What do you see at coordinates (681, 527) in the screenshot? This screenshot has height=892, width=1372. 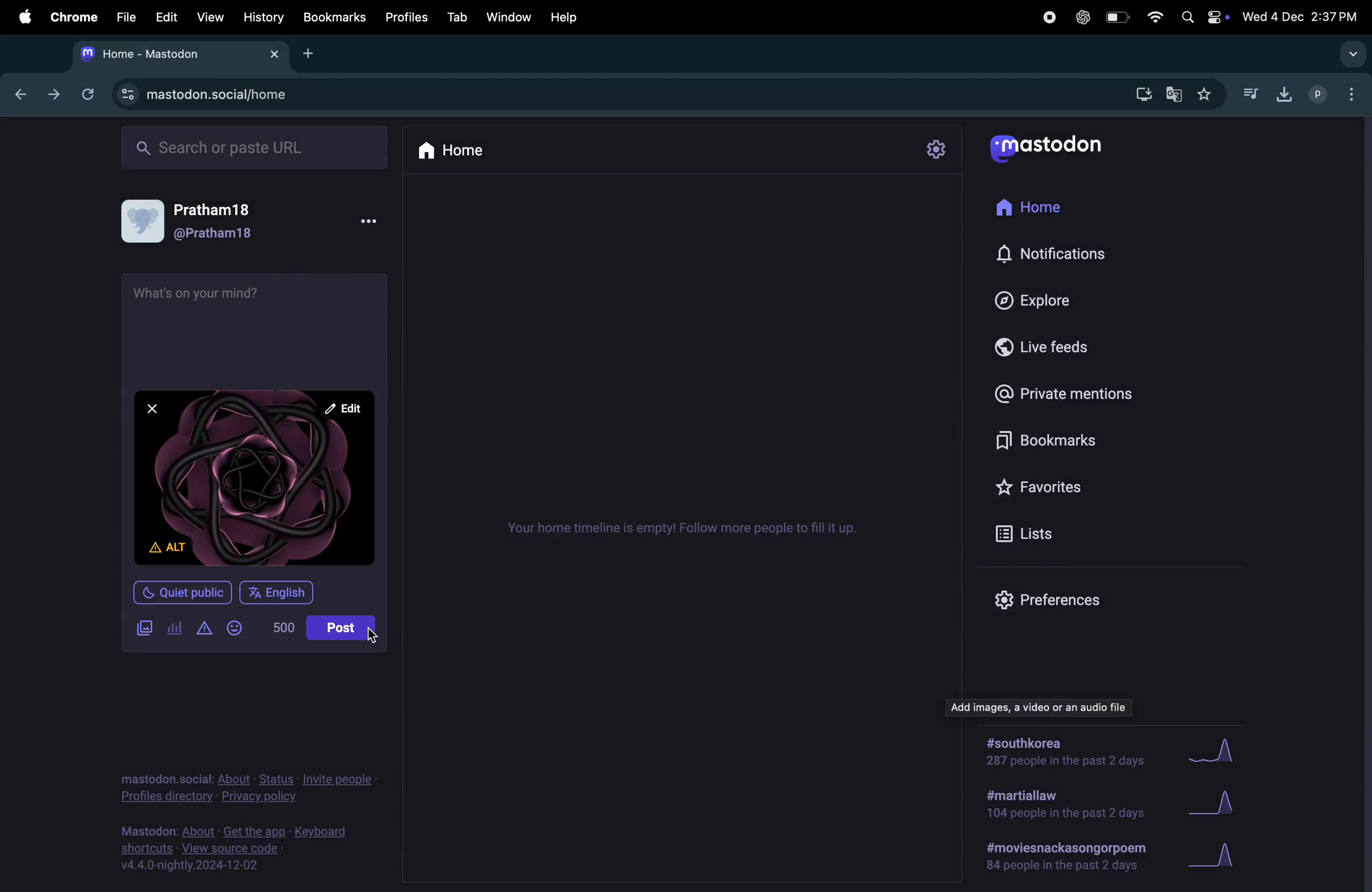 I see `timeline` at bounding box center [681, 527].